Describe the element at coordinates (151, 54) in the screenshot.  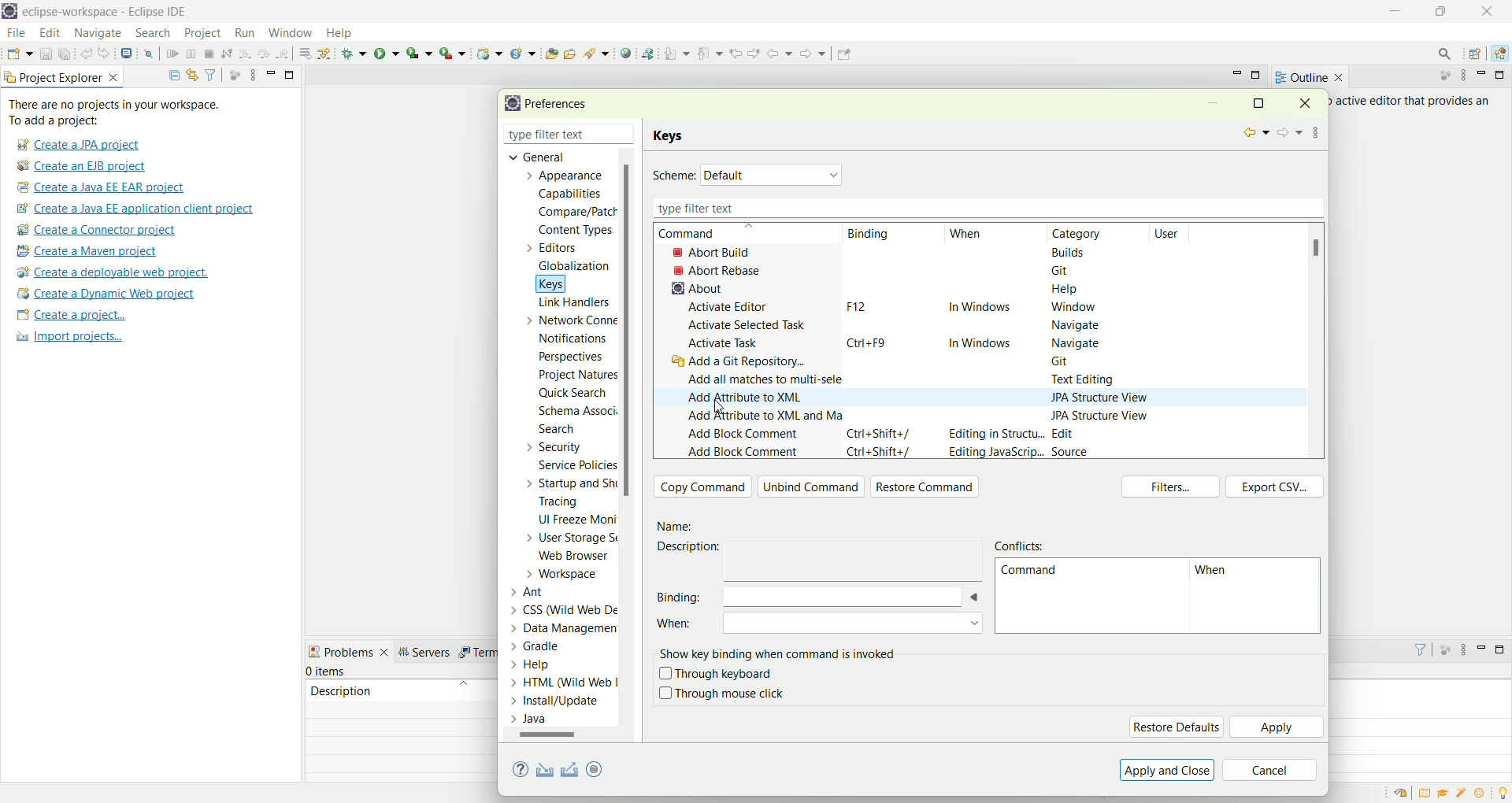
I see `skip all breakpoints` at that location.